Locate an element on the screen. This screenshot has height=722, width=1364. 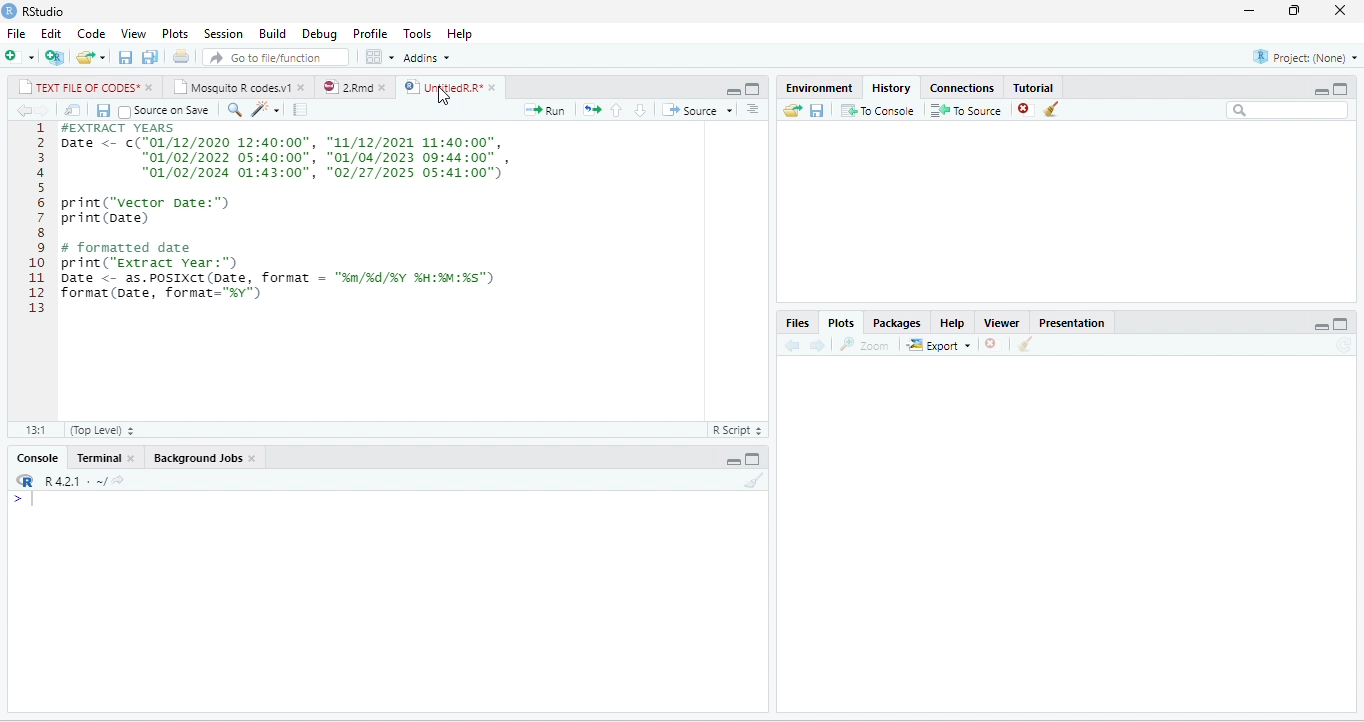
maximize is located at coordinates (753, 89).